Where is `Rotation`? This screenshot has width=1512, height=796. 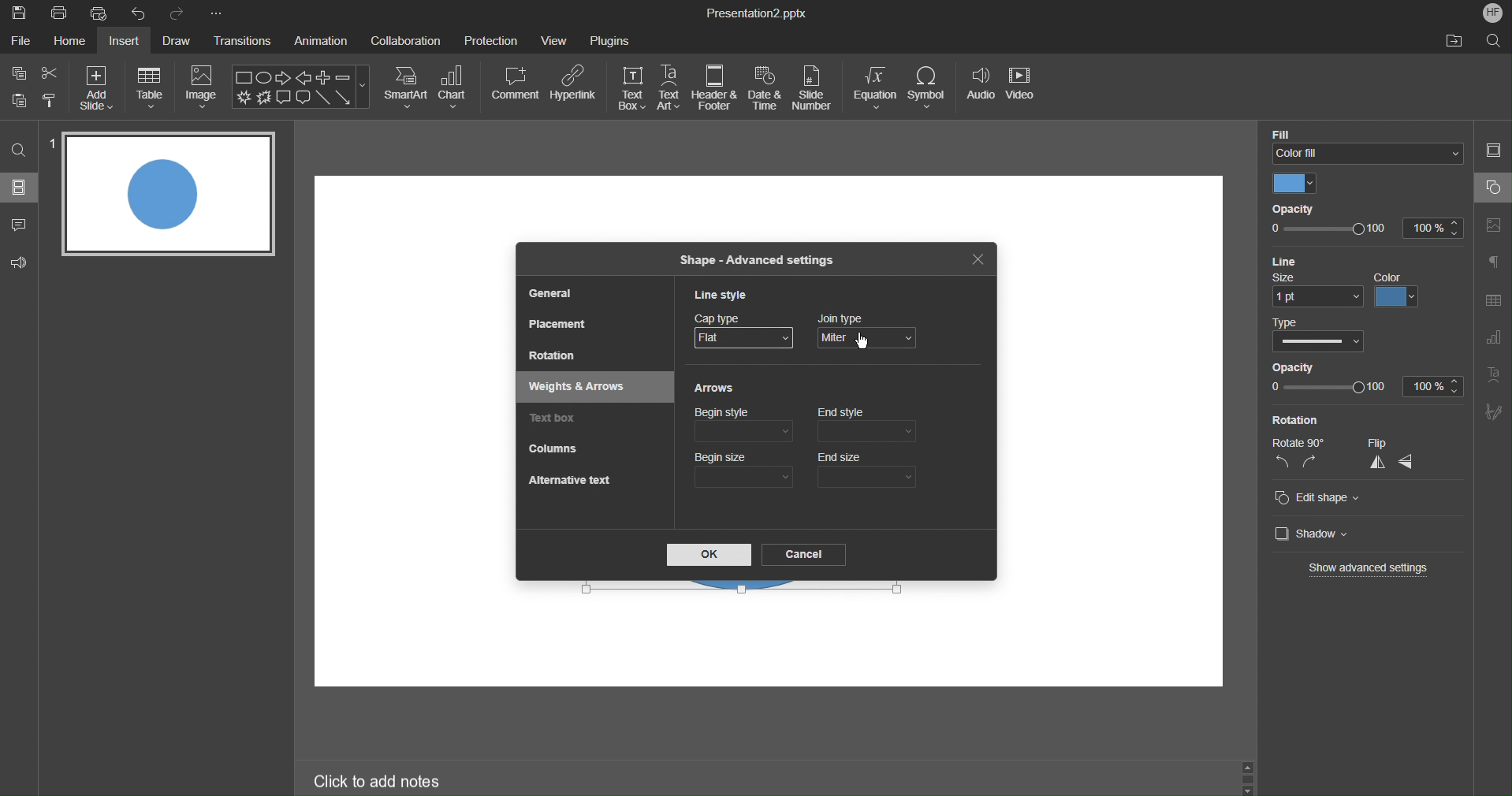 Rotation is located at coordinates (1294, 419).